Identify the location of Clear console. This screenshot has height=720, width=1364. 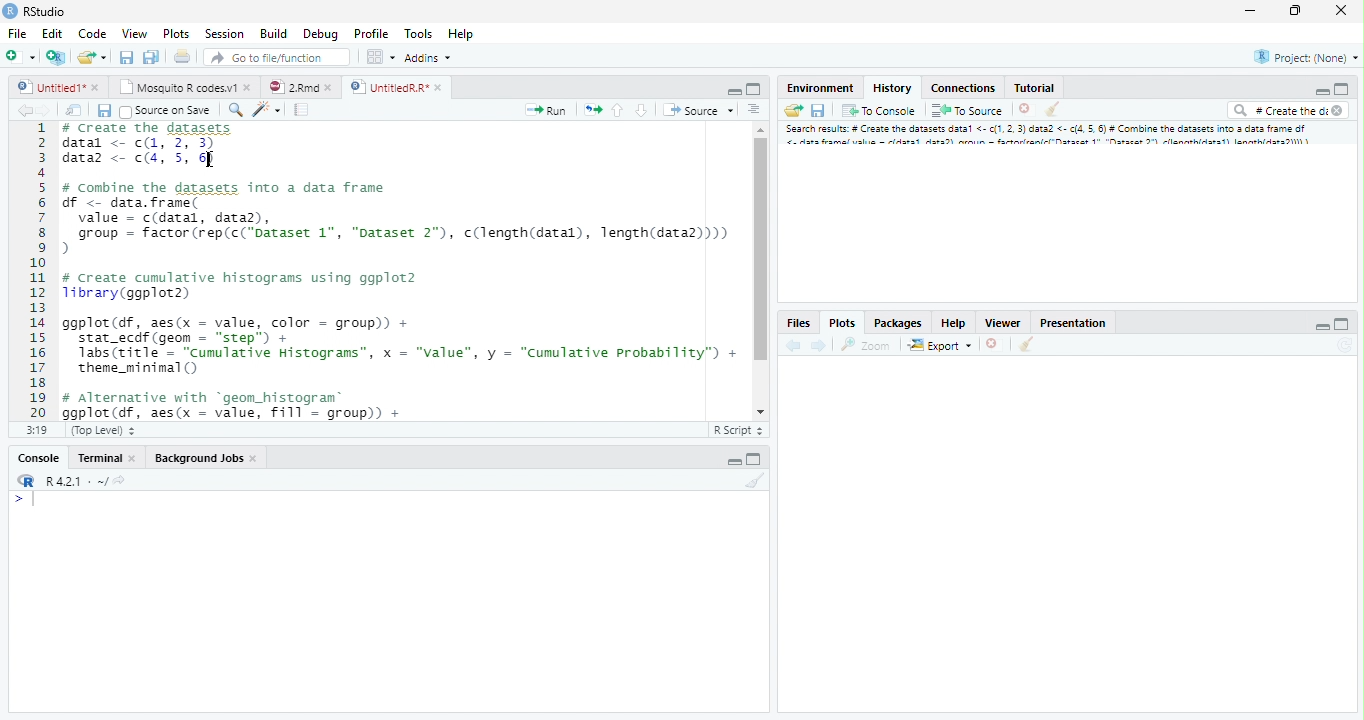
(1029, 346).